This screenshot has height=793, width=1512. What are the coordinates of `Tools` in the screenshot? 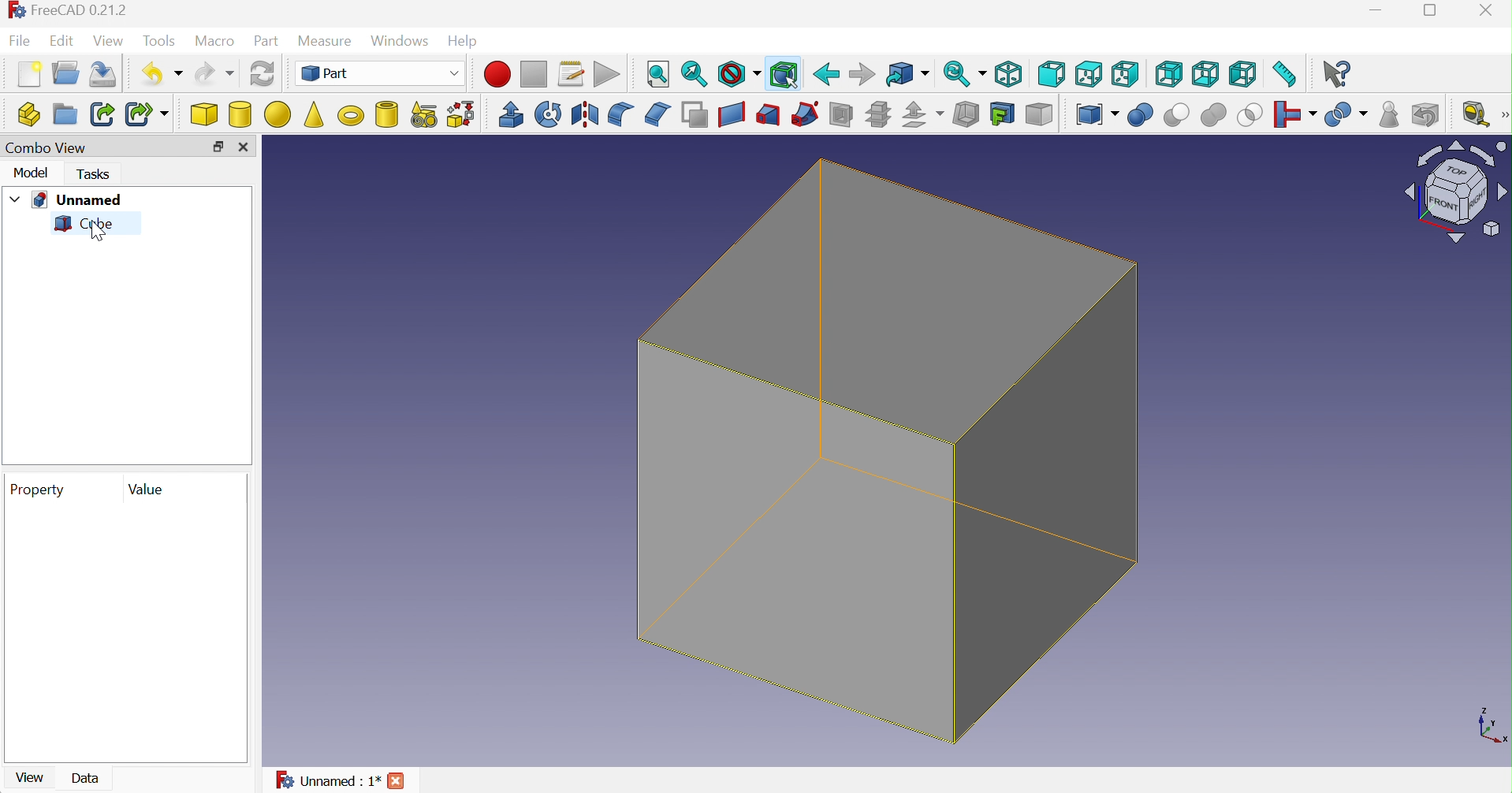 It's located at (158, 38).